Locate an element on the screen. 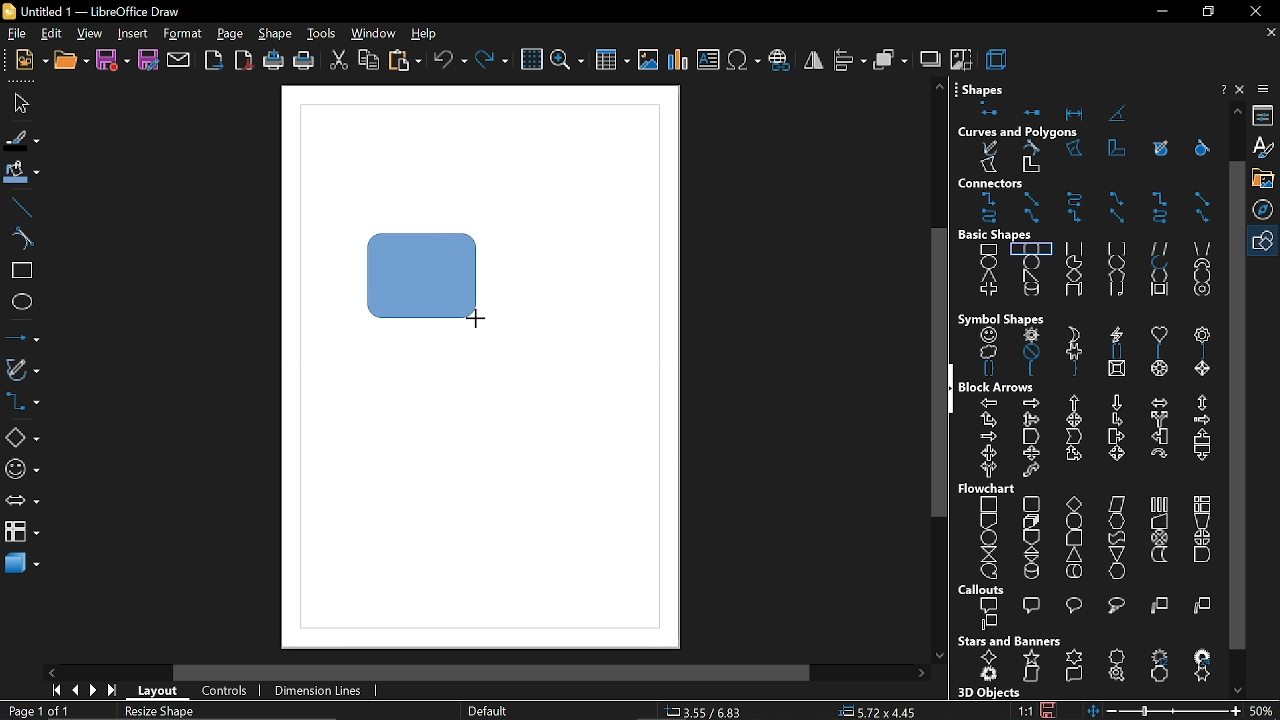 This screenshot has height=720, width=1280. page style is located at coordinates (486, 712).